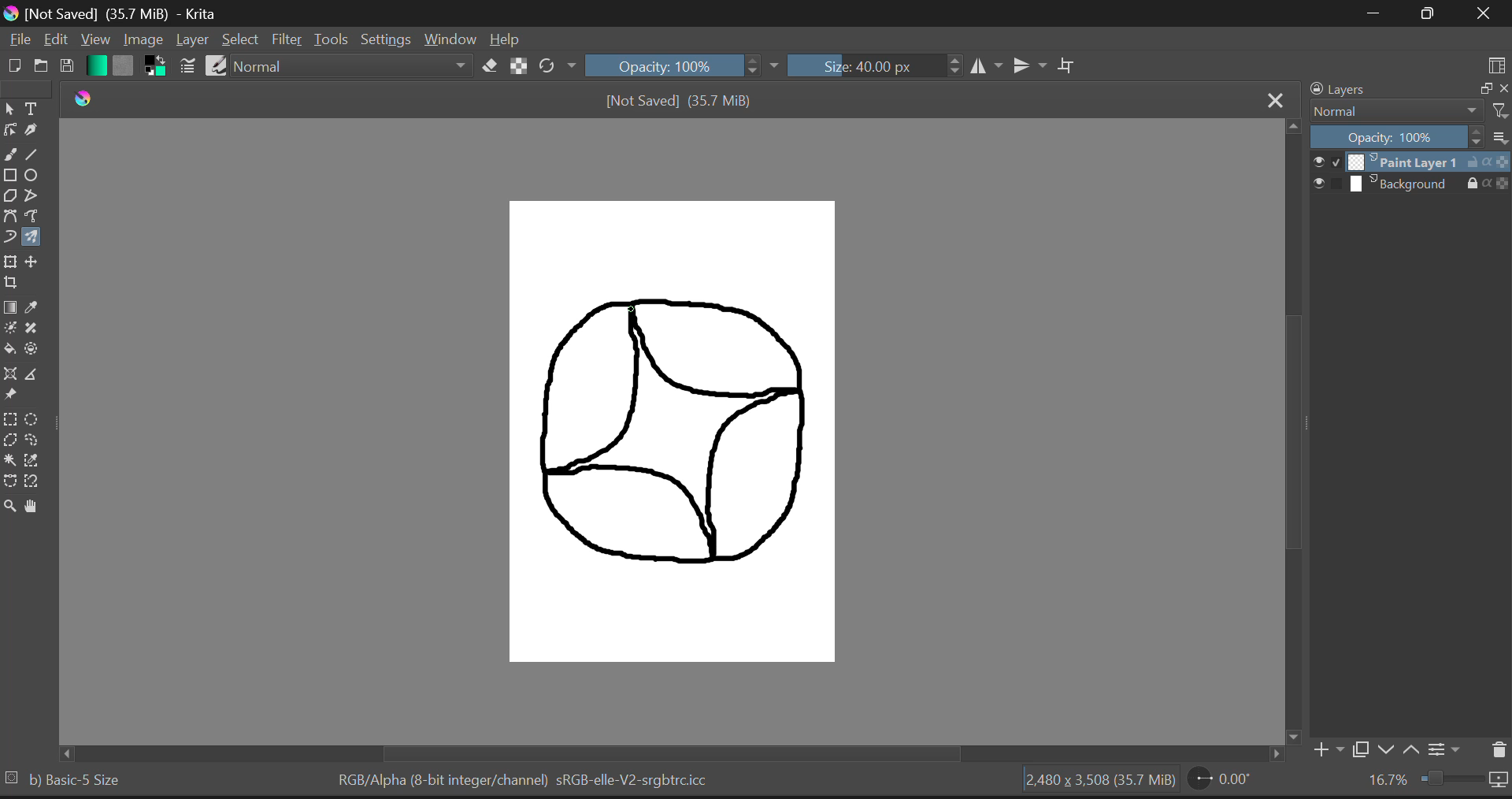  Describe the element at coordinates (1503, 89) in the screenshot. I see `close` at that location.